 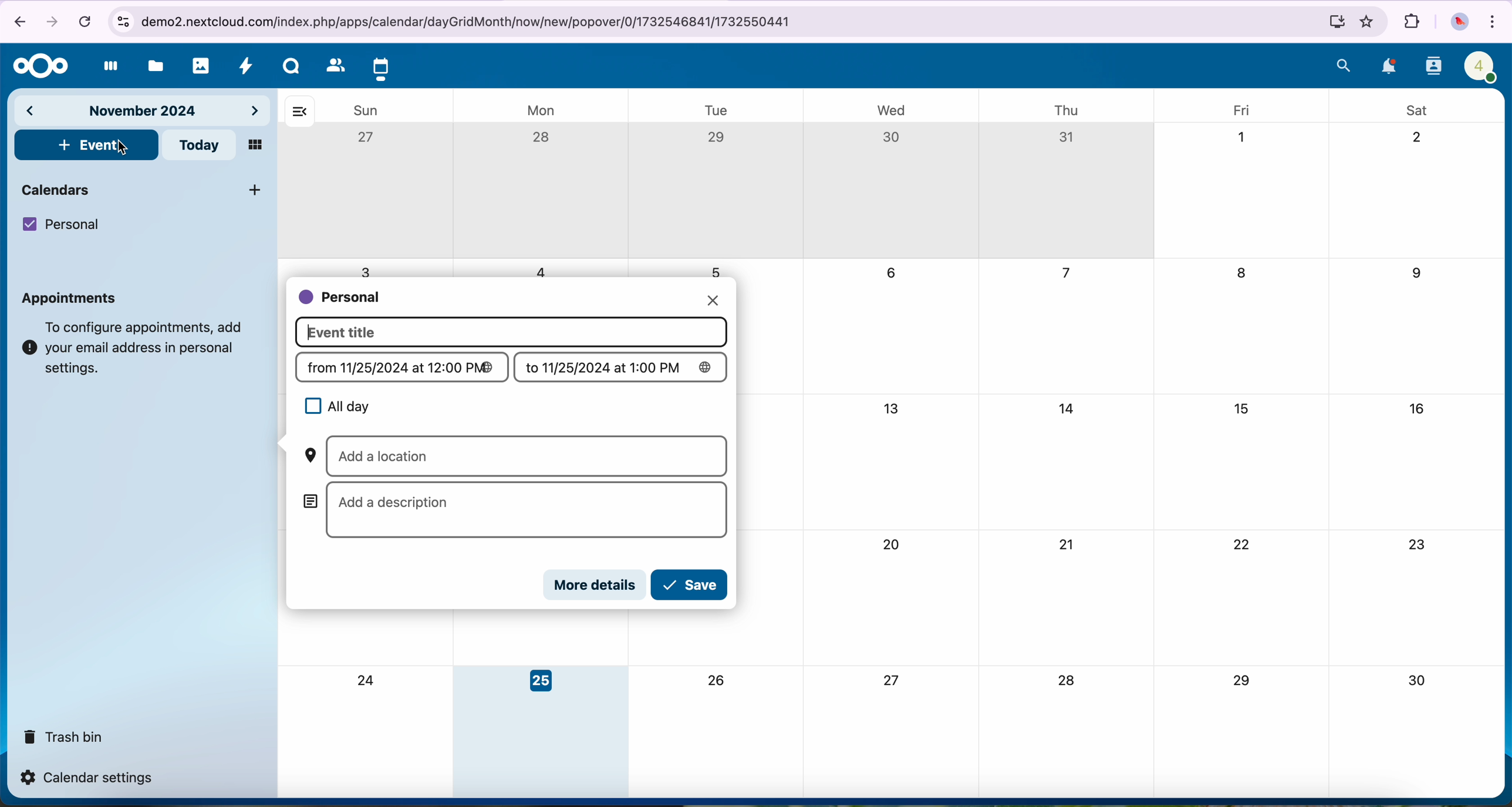 I want to click on add a description, so click(x=516, y=511).